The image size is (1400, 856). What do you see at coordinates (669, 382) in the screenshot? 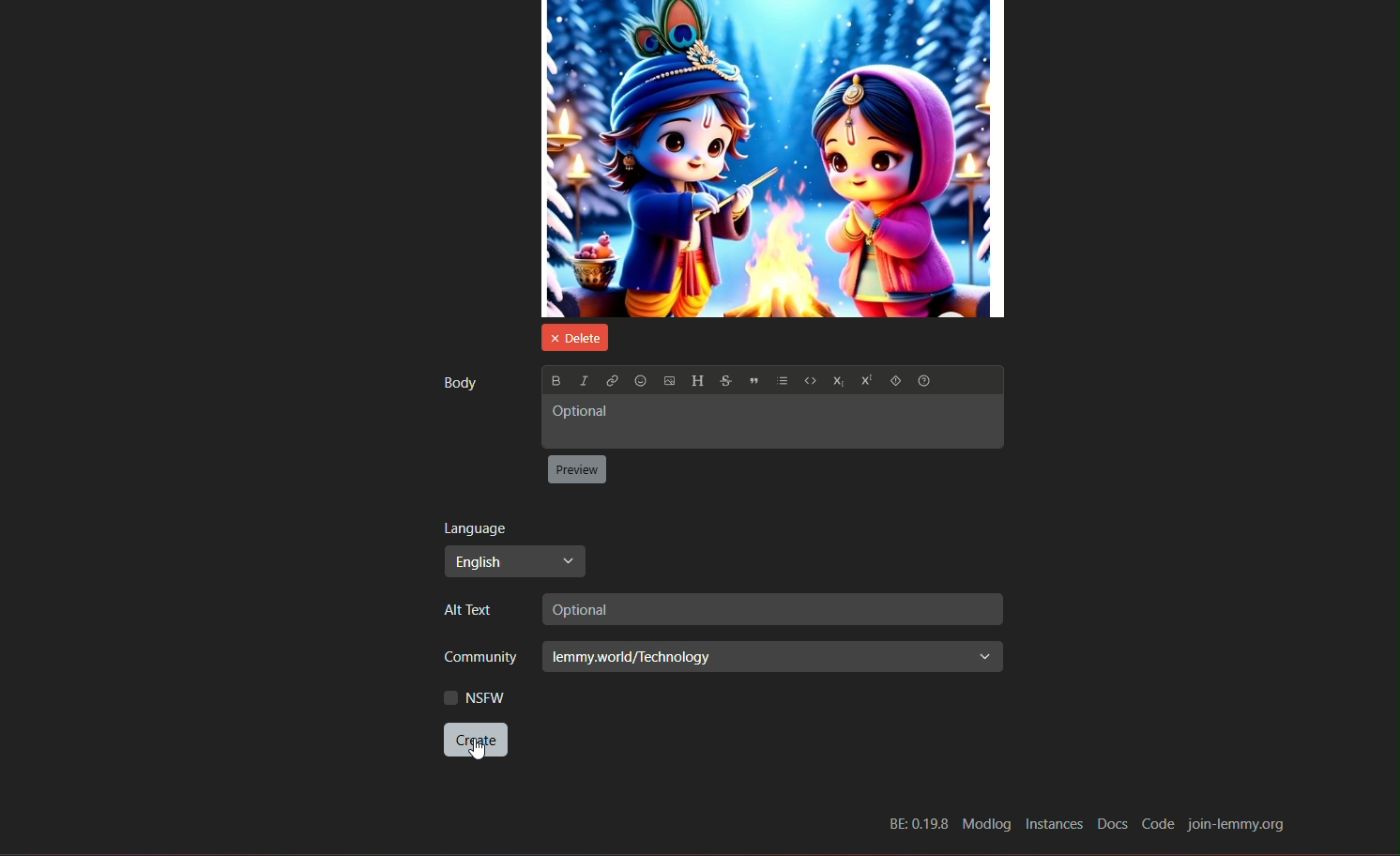
I see `upload image` at bounding box center [669, 382].